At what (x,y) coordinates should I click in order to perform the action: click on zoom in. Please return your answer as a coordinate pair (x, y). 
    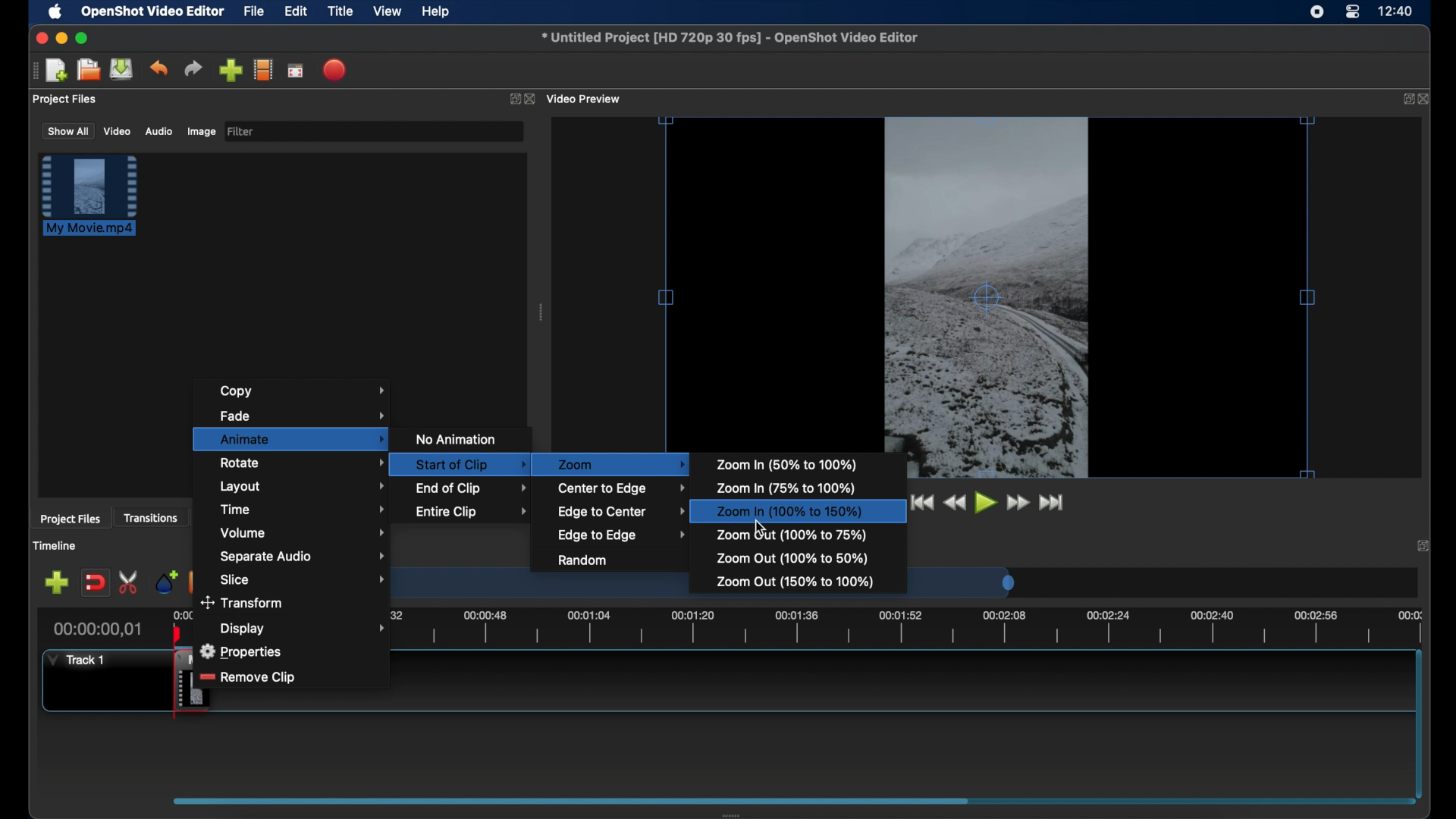
    Looking at the image, I should click on (789, 463).